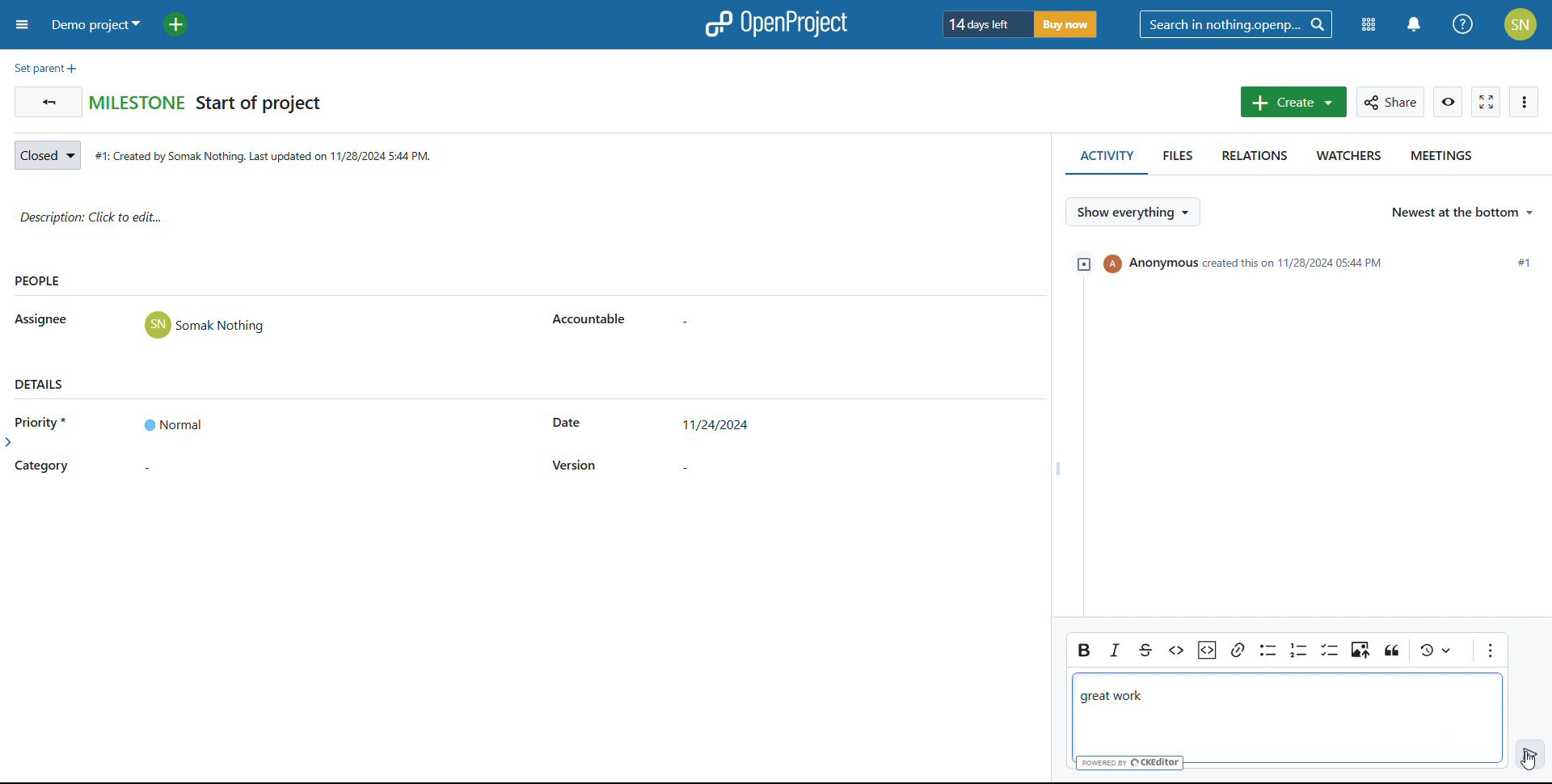 This screenshot has height=784, width=1552. I want to click on creation date, so click(268, 157).